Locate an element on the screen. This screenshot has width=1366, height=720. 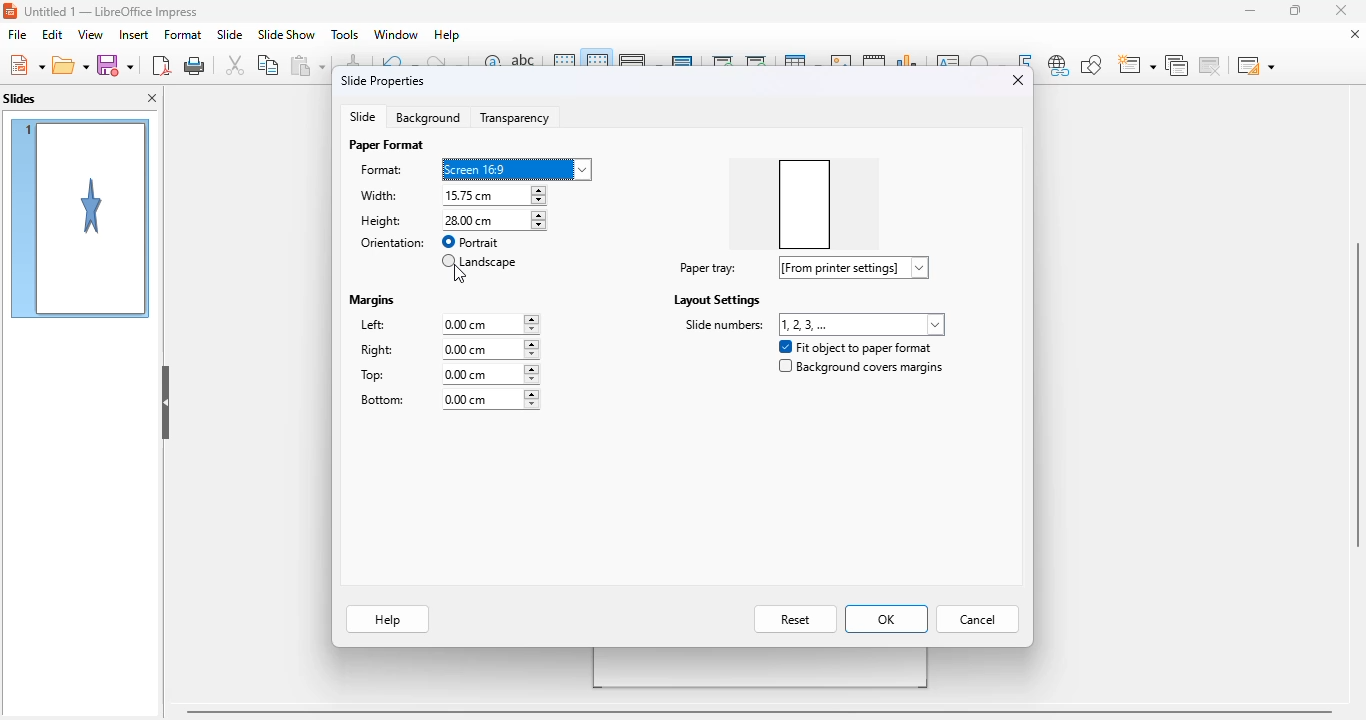
slide layout is located at coordinates (1255, 65).